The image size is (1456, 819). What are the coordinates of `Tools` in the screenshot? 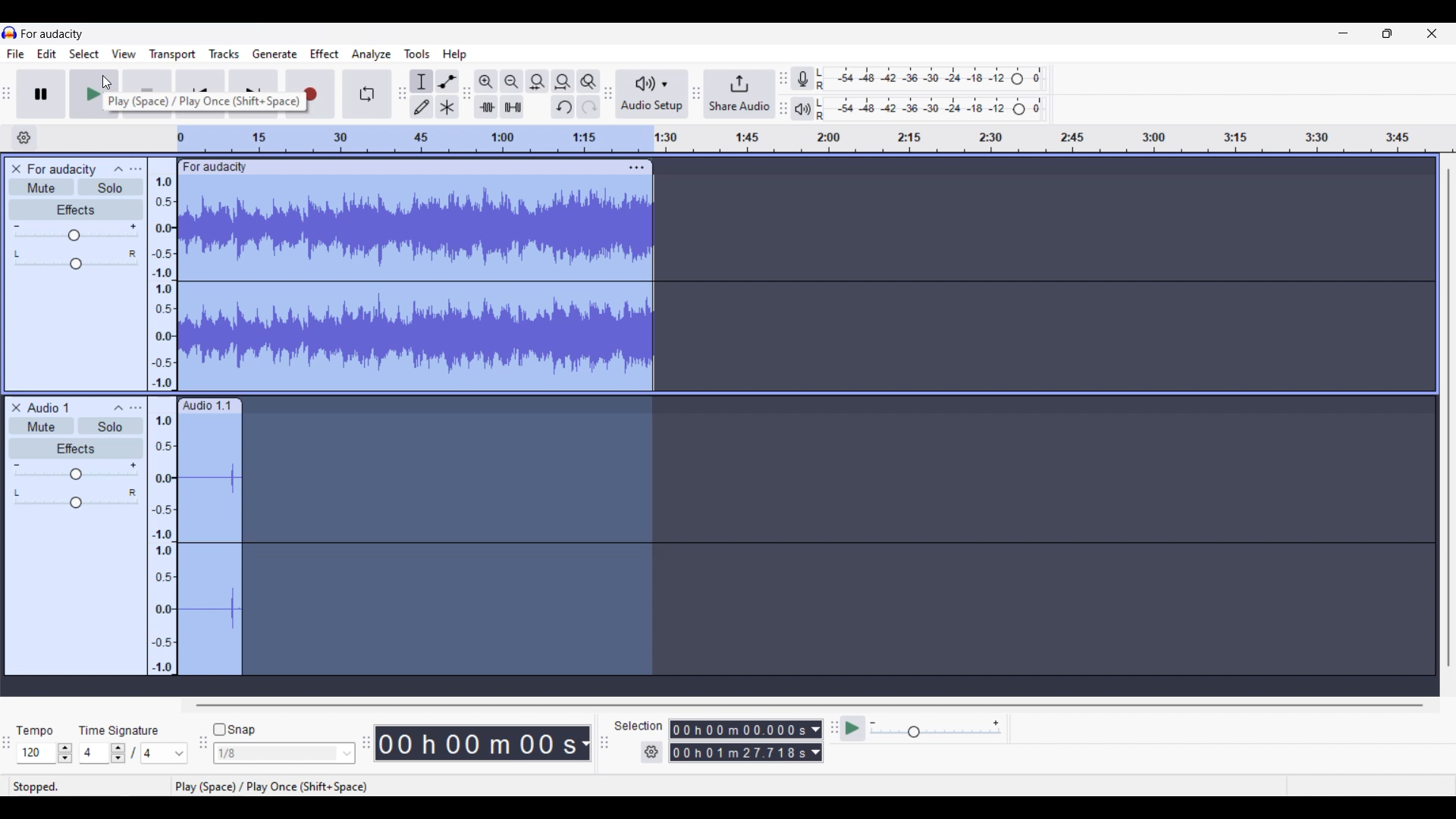 It's located at (417, 54).